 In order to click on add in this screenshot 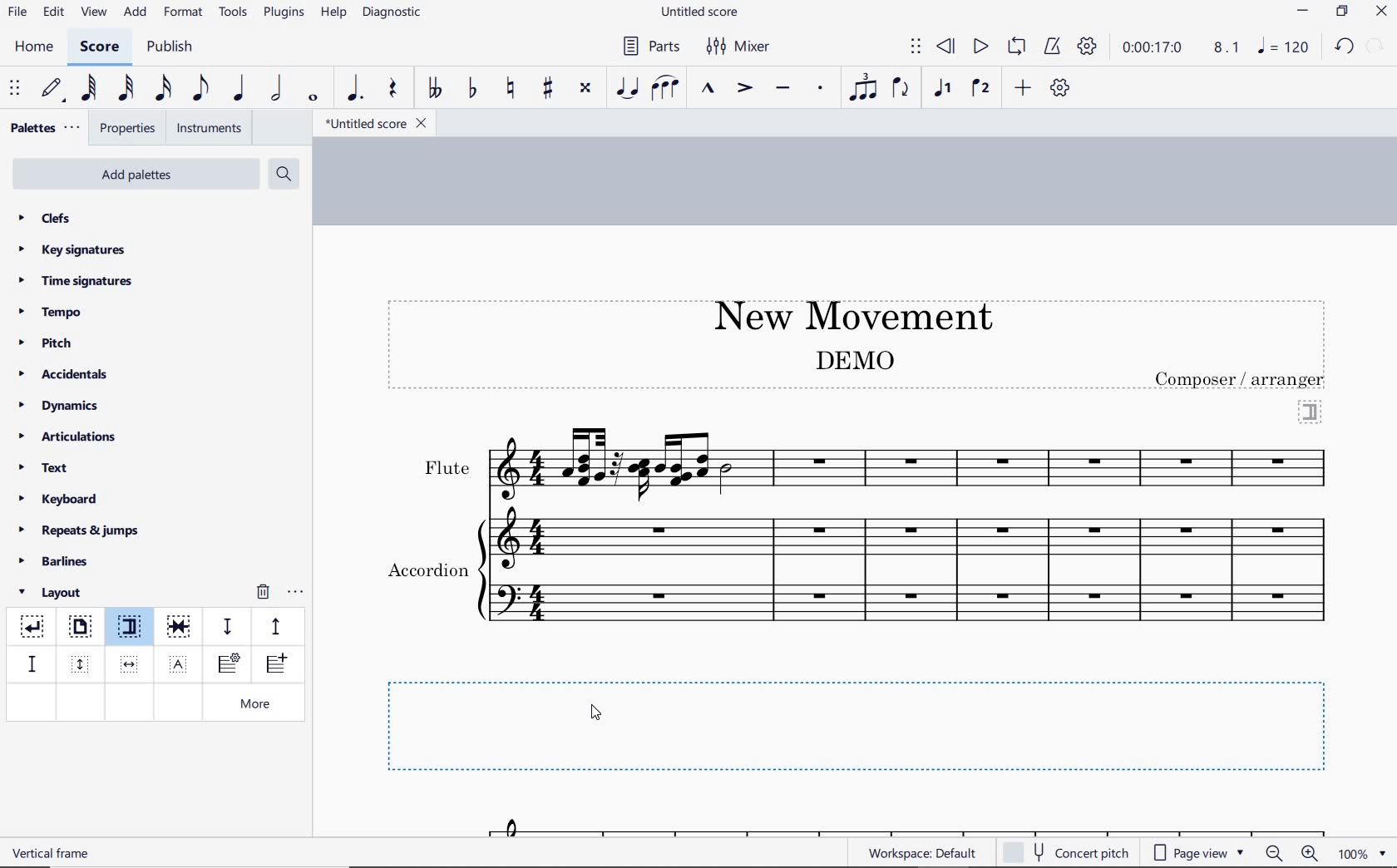, I will do `click(1025, 87)`.